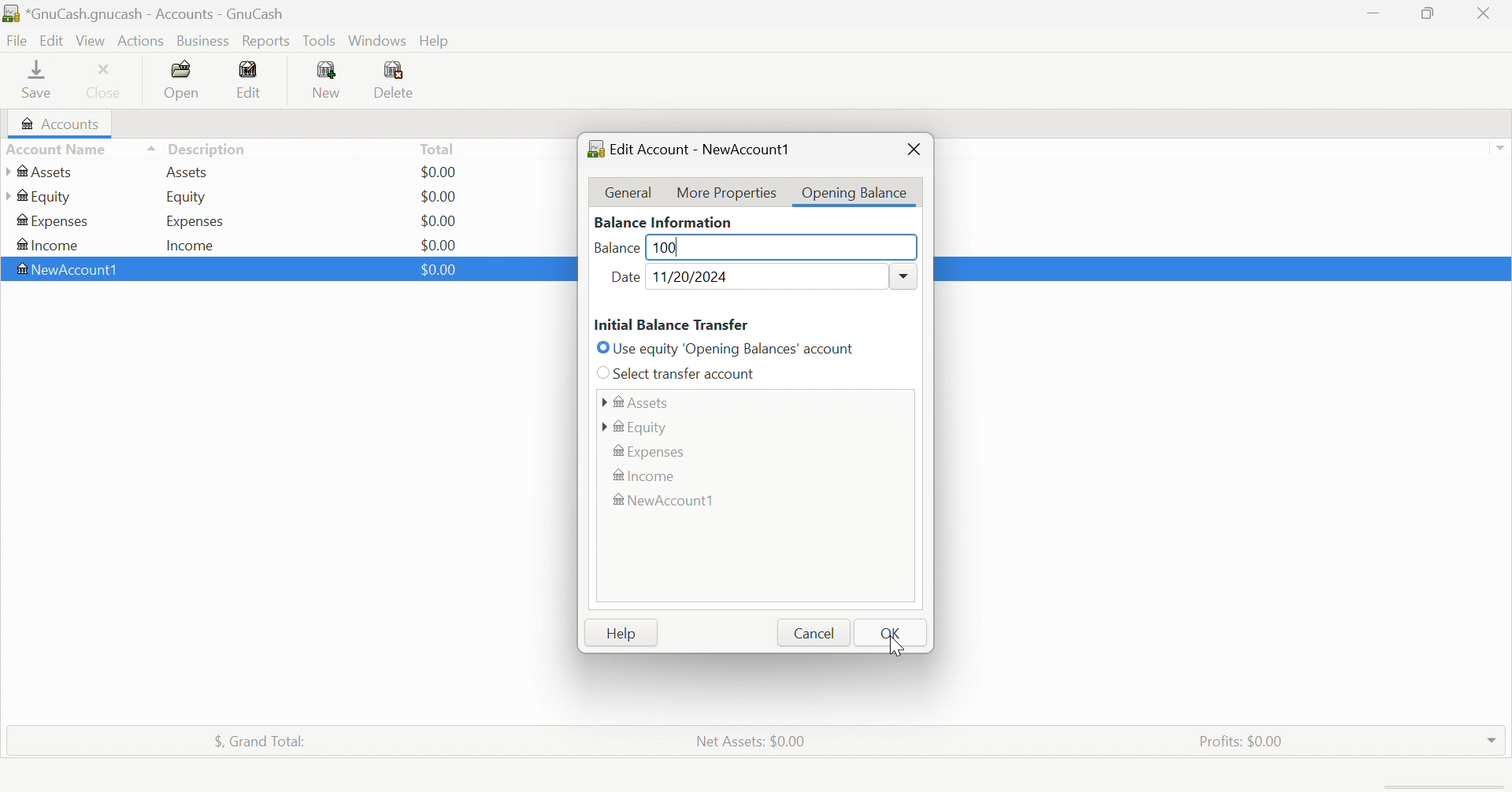 This screenshot has height=792, width=1512. Describe the element at coordinates (813, 634) in the screenshot. I see `Cancel` at that location.